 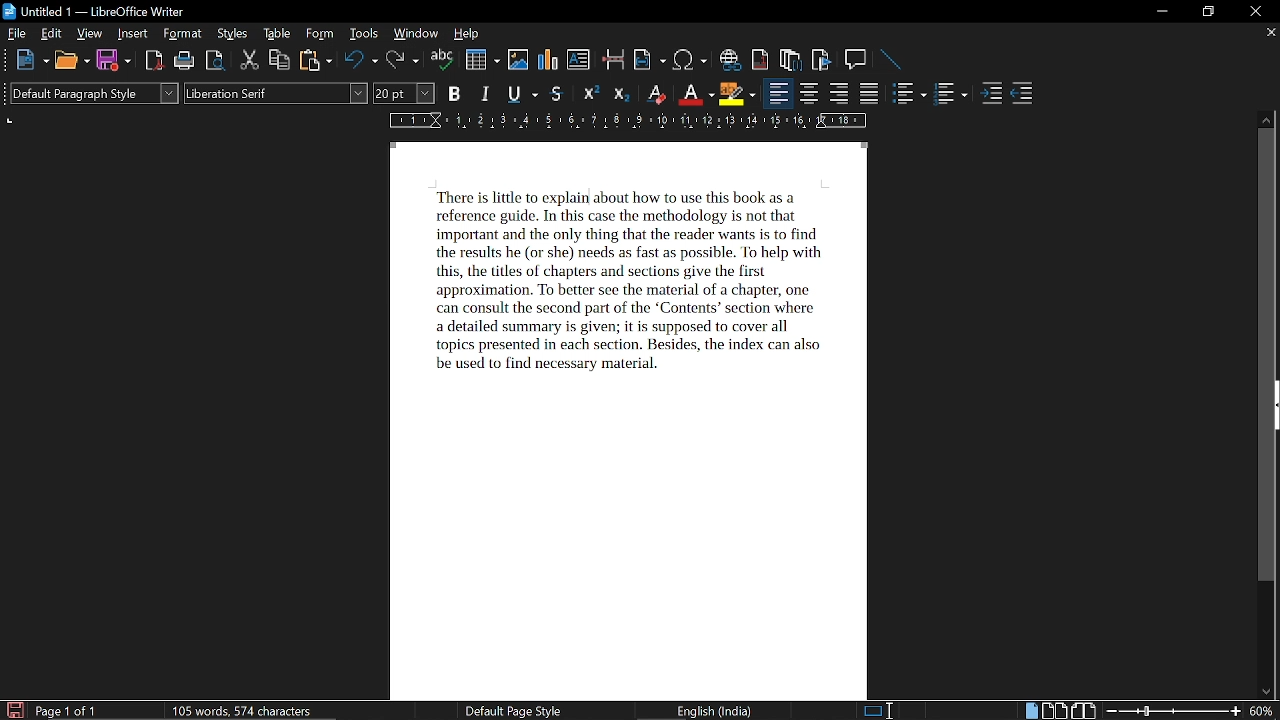 I want to click on spell check, so click(x=442, y=61).